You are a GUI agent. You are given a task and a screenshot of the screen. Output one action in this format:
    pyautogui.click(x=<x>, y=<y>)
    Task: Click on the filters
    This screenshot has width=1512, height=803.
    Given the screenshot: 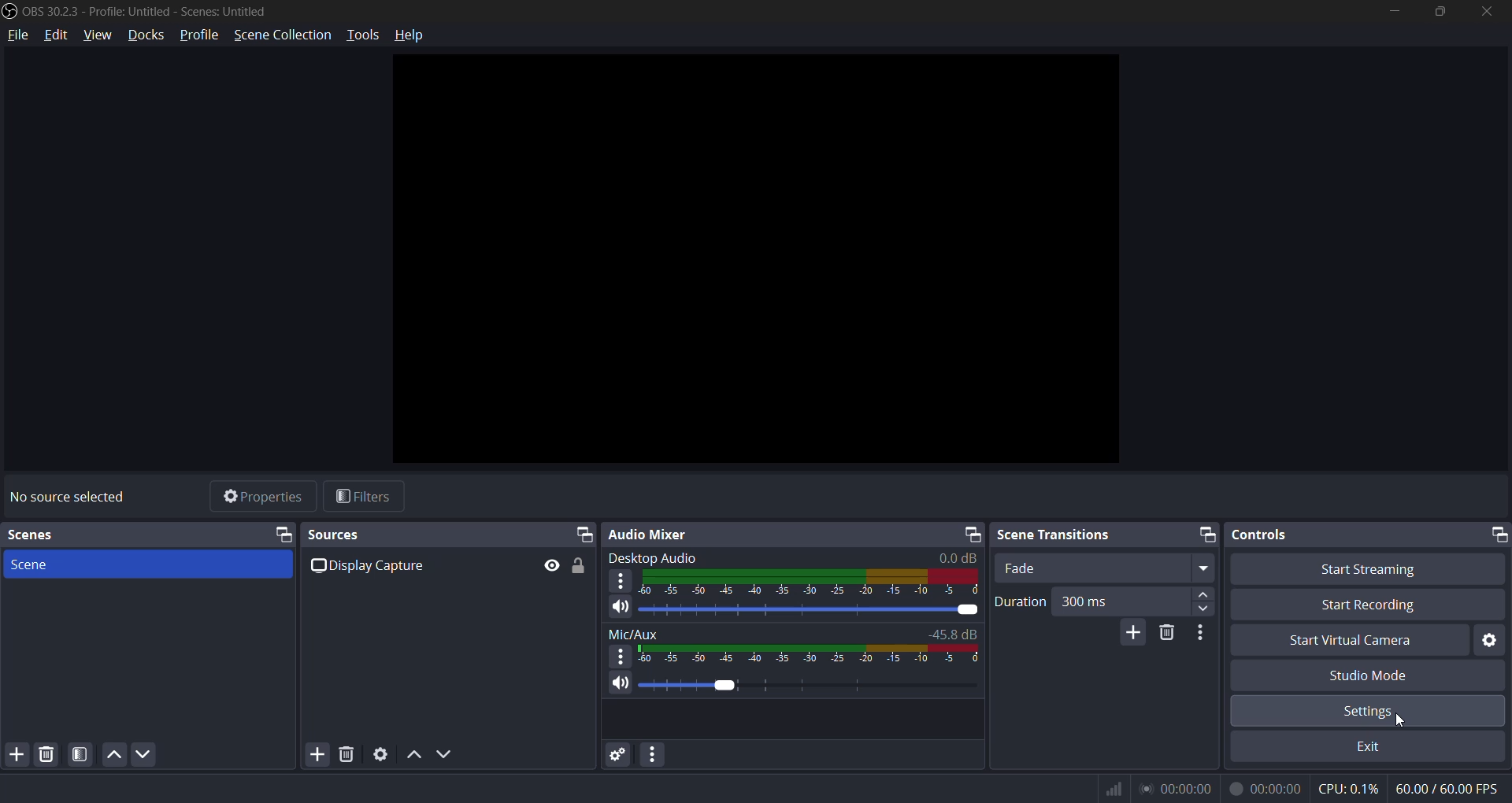 What is the action you would take?
    pyautogui.click(x=363, y=494)
    